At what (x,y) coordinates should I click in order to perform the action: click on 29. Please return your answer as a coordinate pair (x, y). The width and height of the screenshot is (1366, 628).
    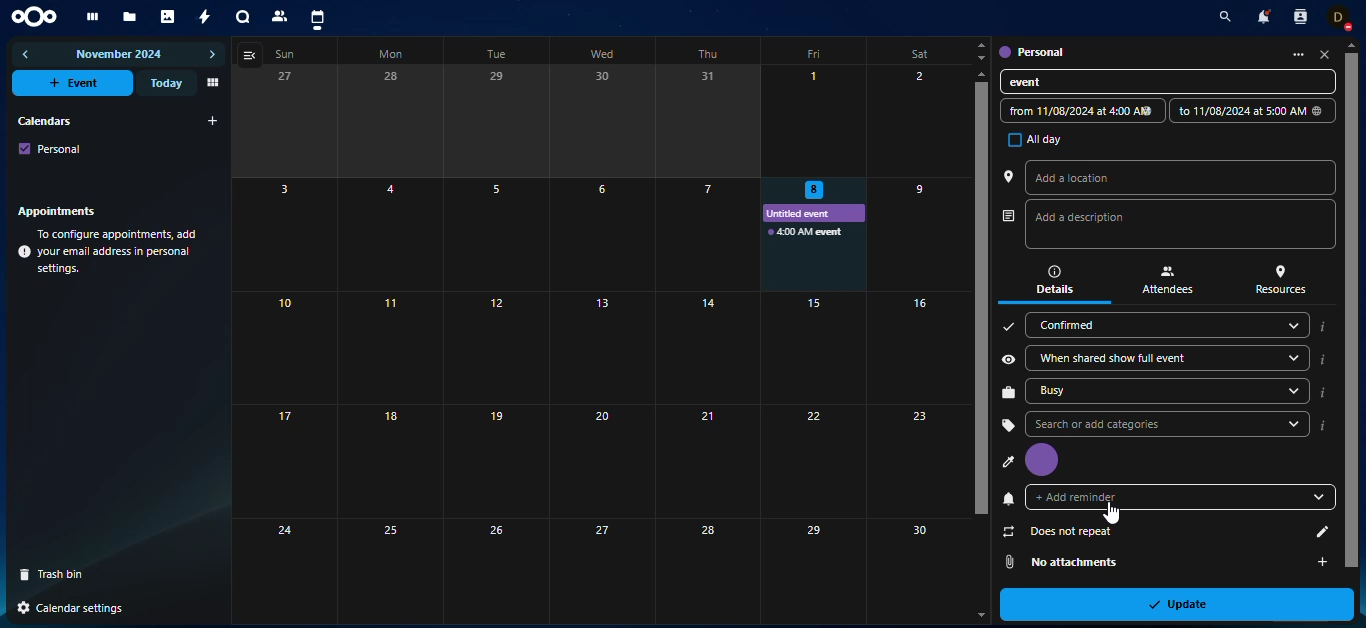
    Looking at the image, I should click on (808, 571).